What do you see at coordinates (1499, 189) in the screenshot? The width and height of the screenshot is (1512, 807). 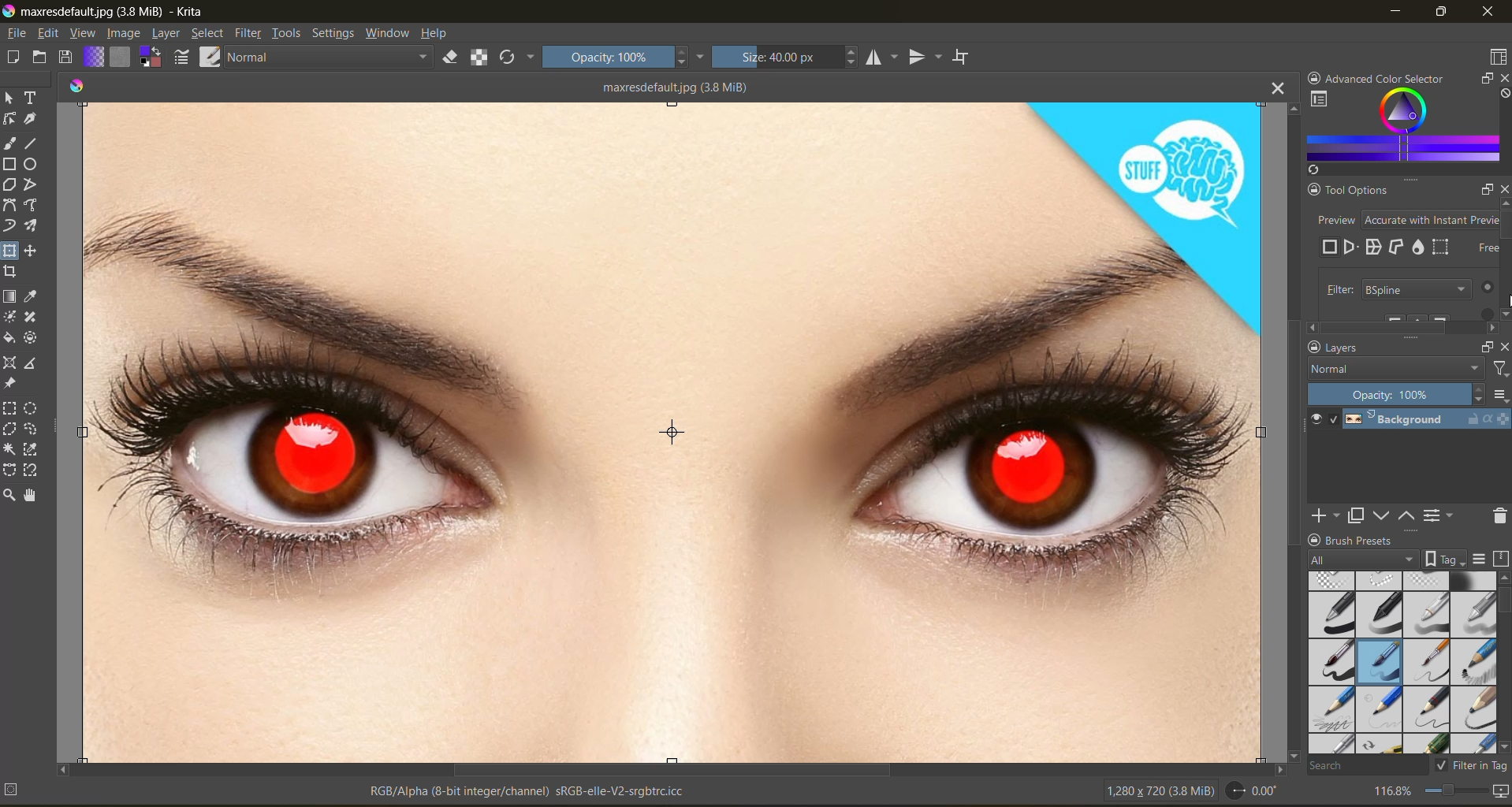 I see `close docker` at bounding box center [1499, 189].